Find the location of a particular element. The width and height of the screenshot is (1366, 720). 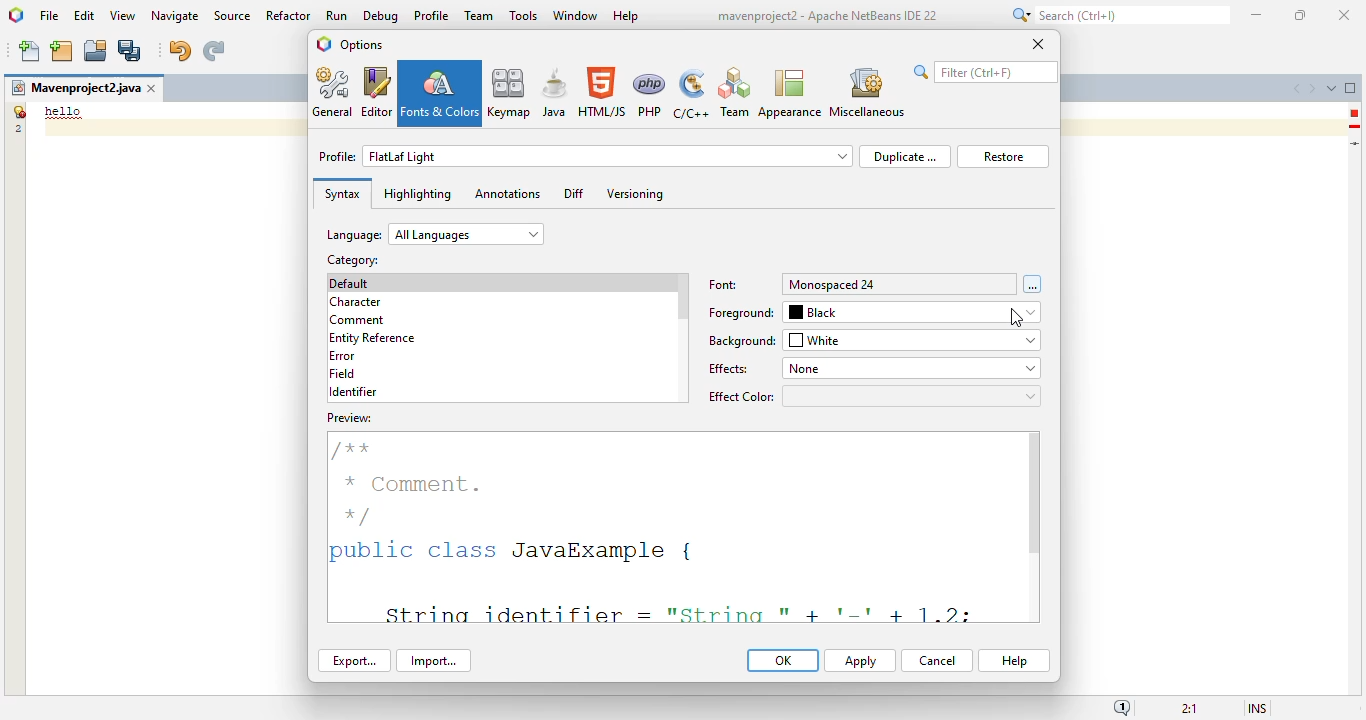

debug is located at coordinates (382, 16).